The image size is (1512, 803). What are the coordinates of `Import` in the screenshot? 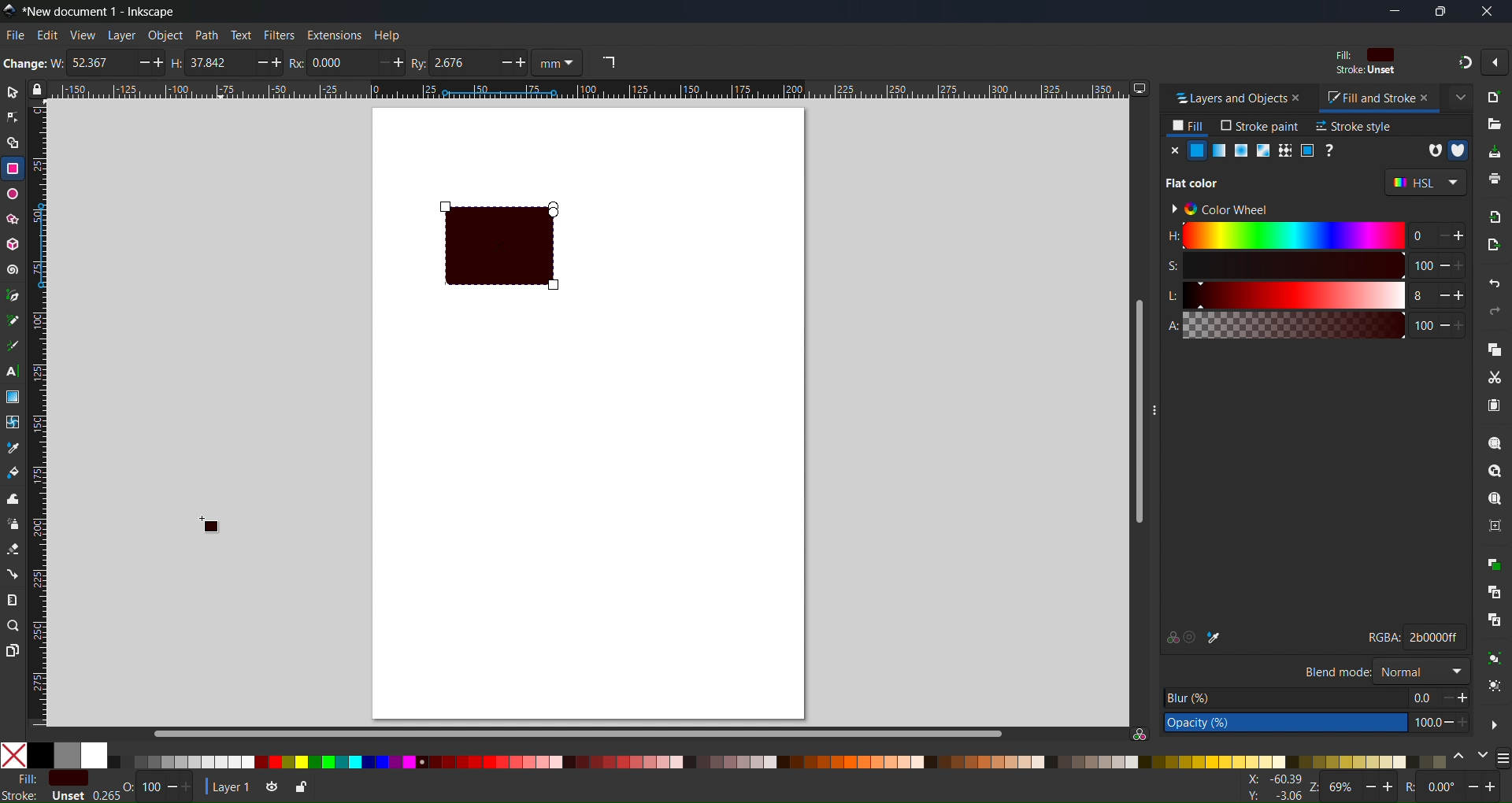 It's located at (1495, 216).